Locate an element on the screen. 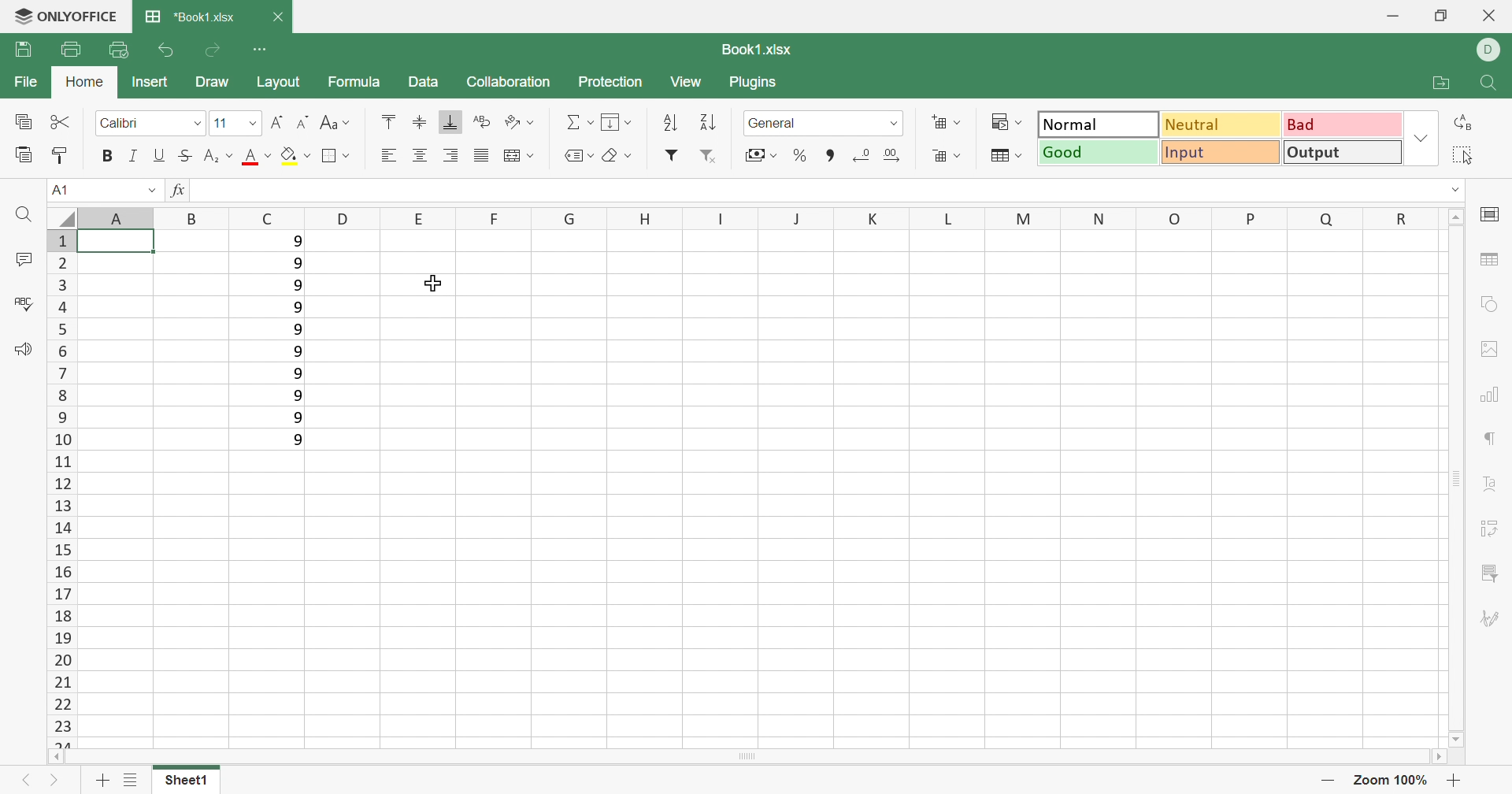 This screenshot has width=1512, height=794. Charts settings is located at coordinates (1492, 396).